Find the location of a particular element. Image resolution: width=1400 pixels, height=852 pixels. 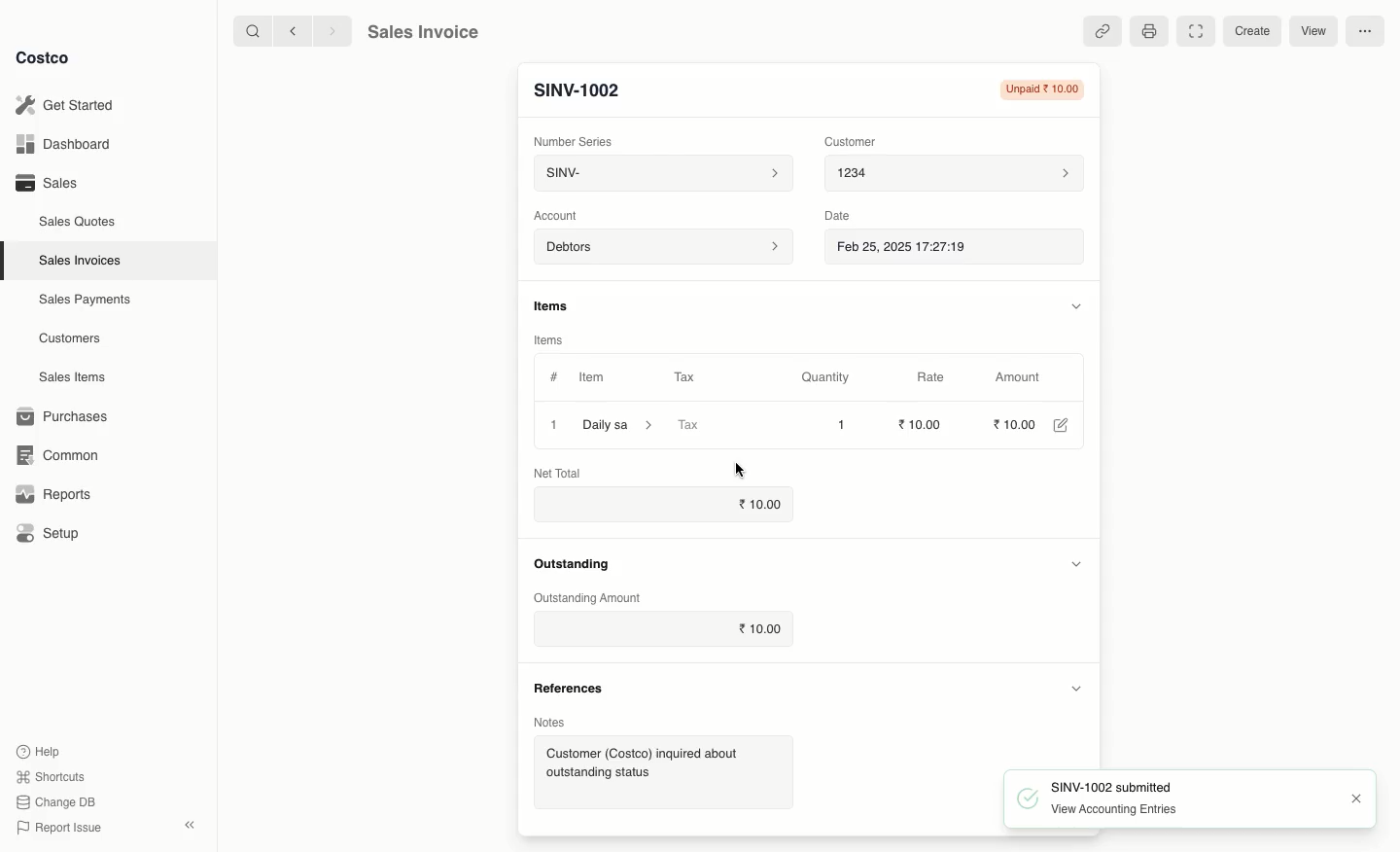

Costco is located at coordinates (45, 57).